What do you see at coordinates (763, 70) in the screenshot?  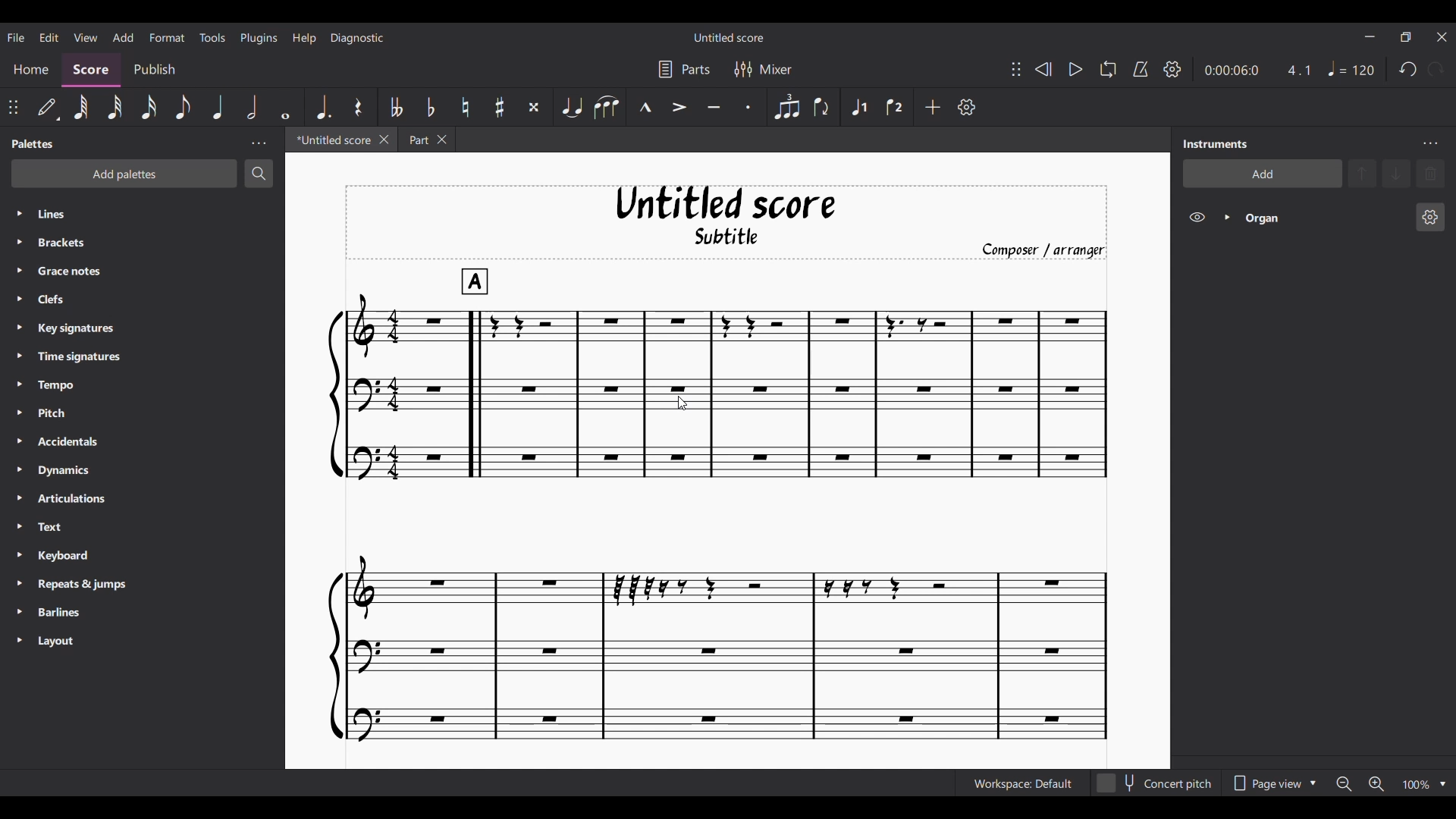 I see `Mixer settings` at bounding box center [763, 70].